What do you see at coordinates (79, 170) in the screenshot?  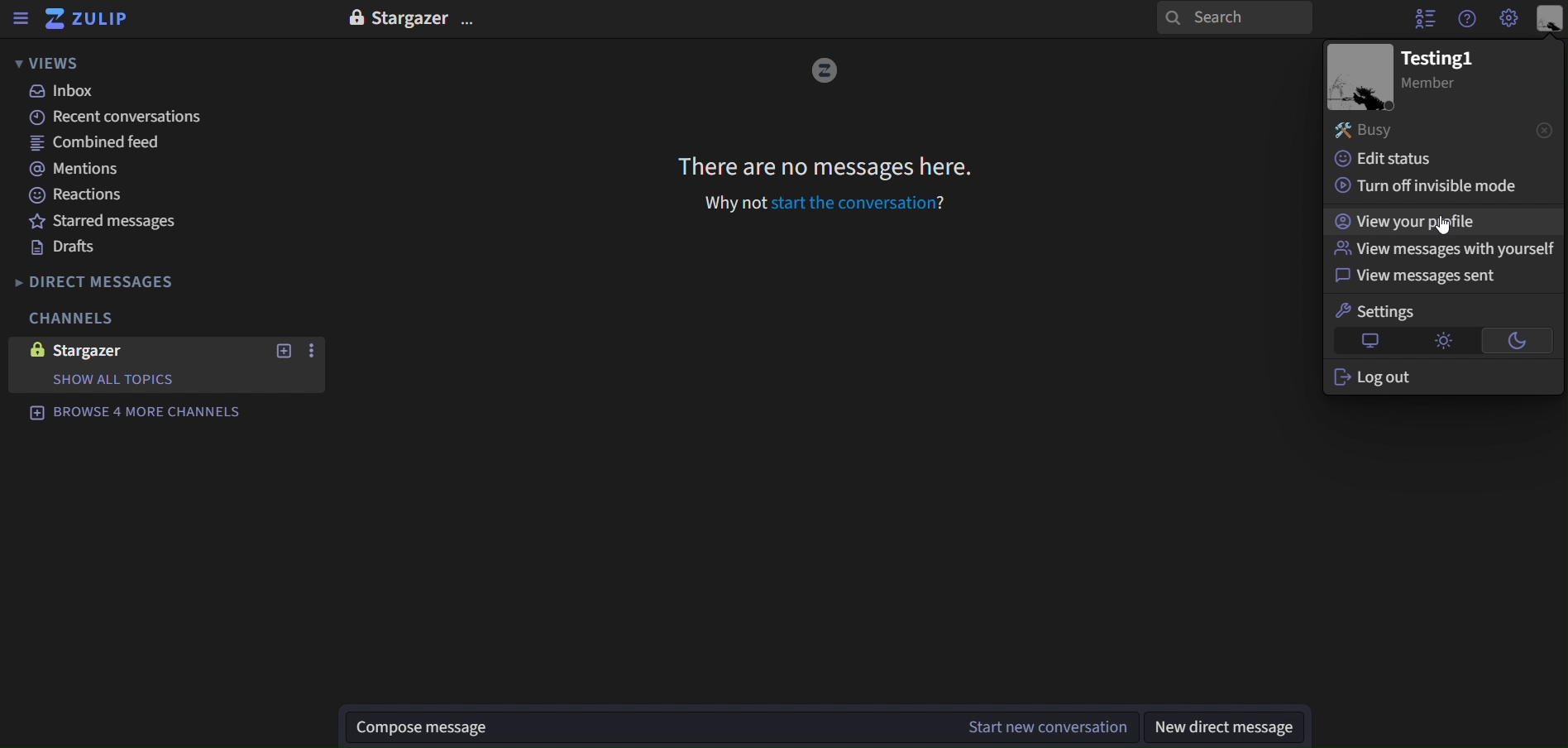 I see `mentions` at bounding box center [79, 170].